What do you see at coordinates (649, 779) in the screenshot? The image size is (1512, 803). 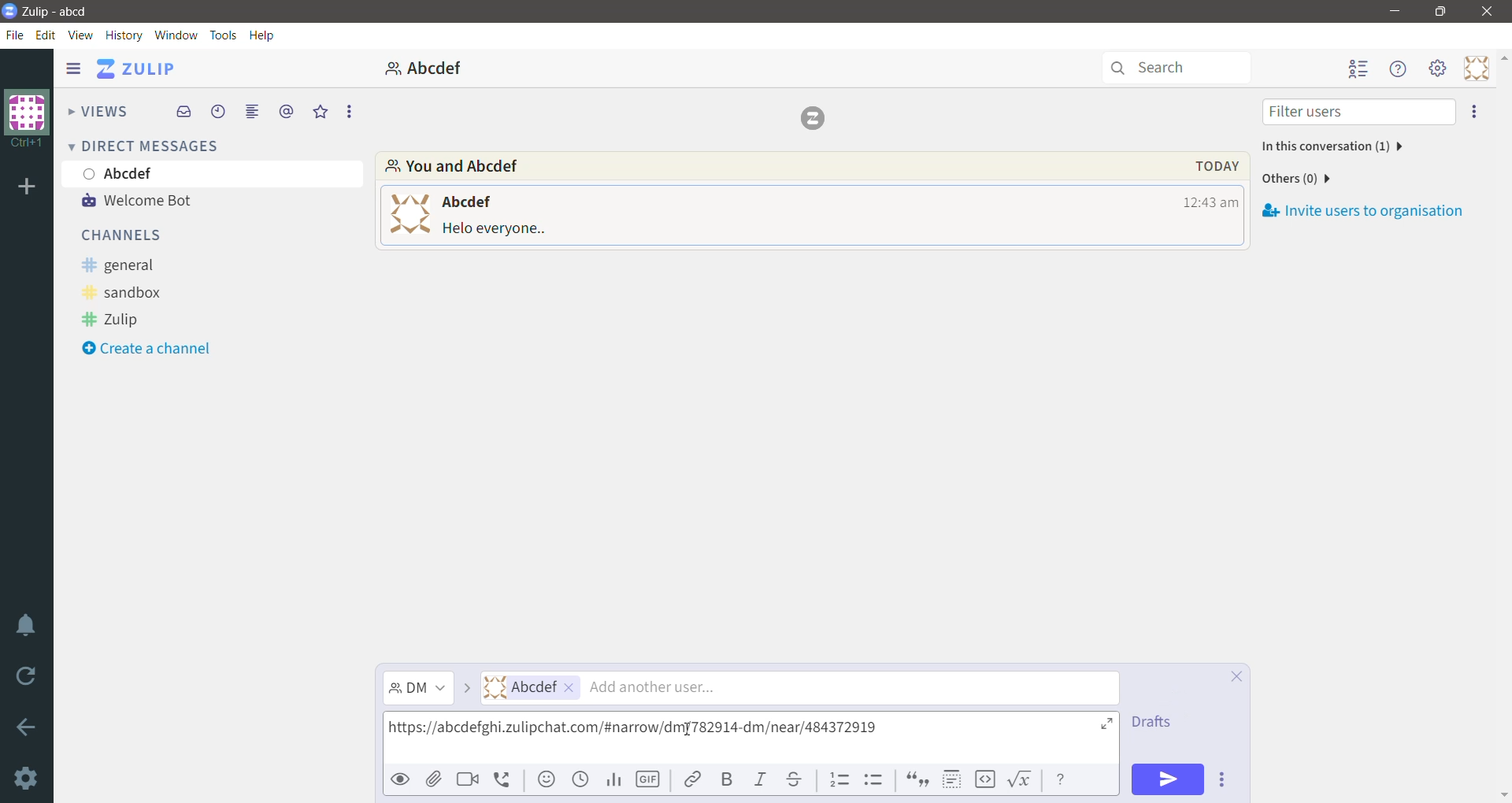 I see `Add GIF` at bounding box center [649, 779].